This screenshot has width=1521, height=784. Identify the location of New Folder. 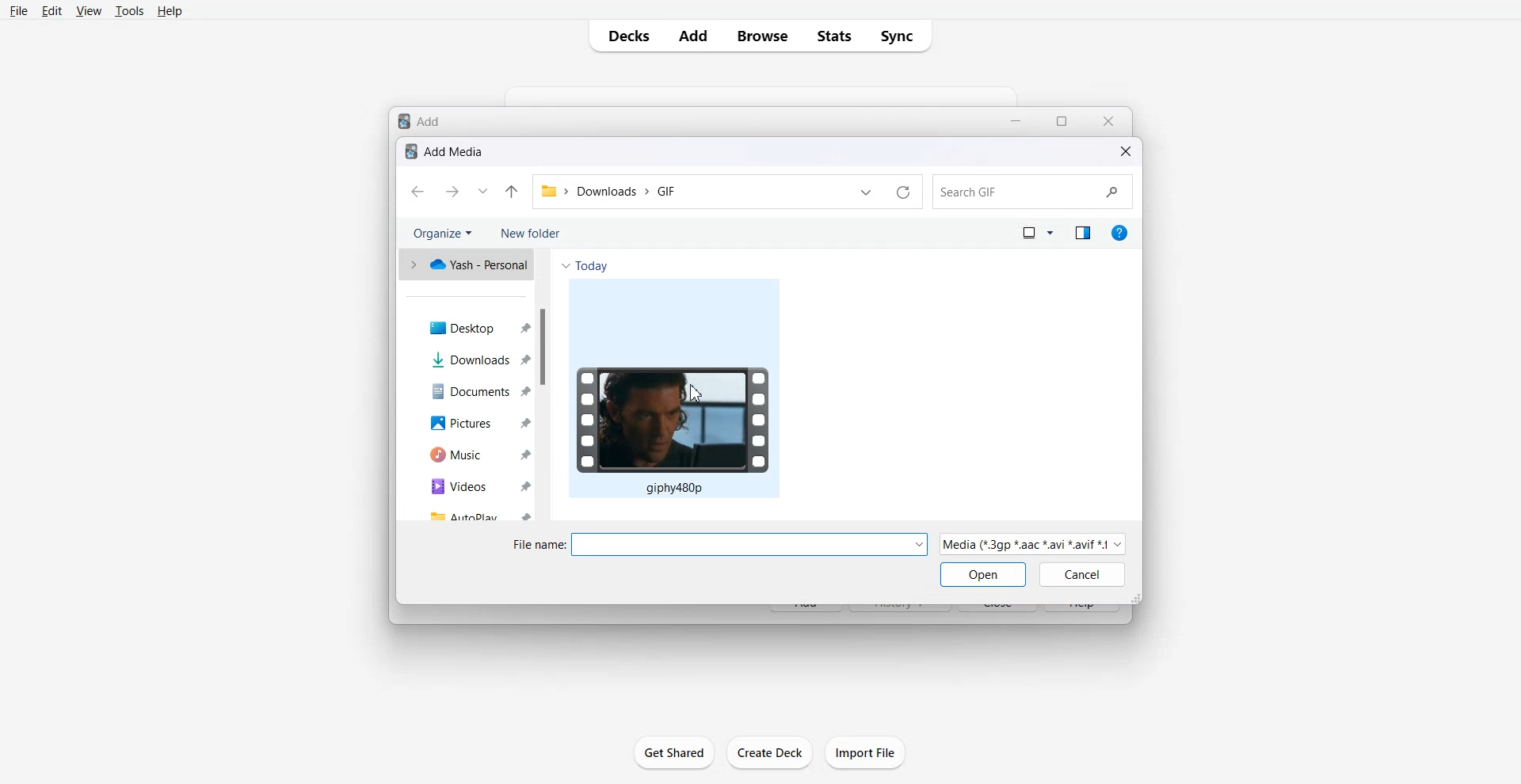
(530, 233).